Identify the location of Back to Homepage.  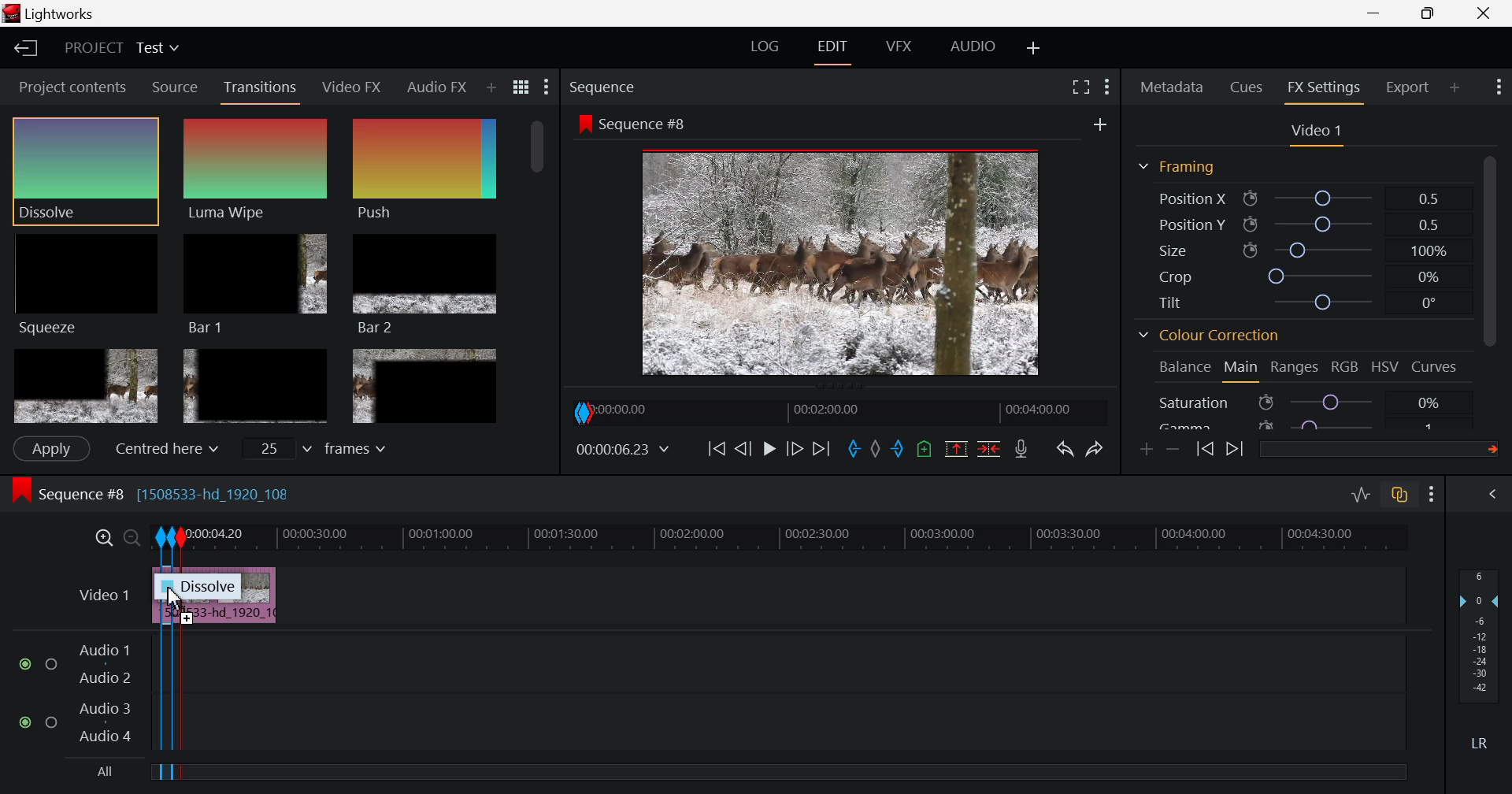
(20, 50).